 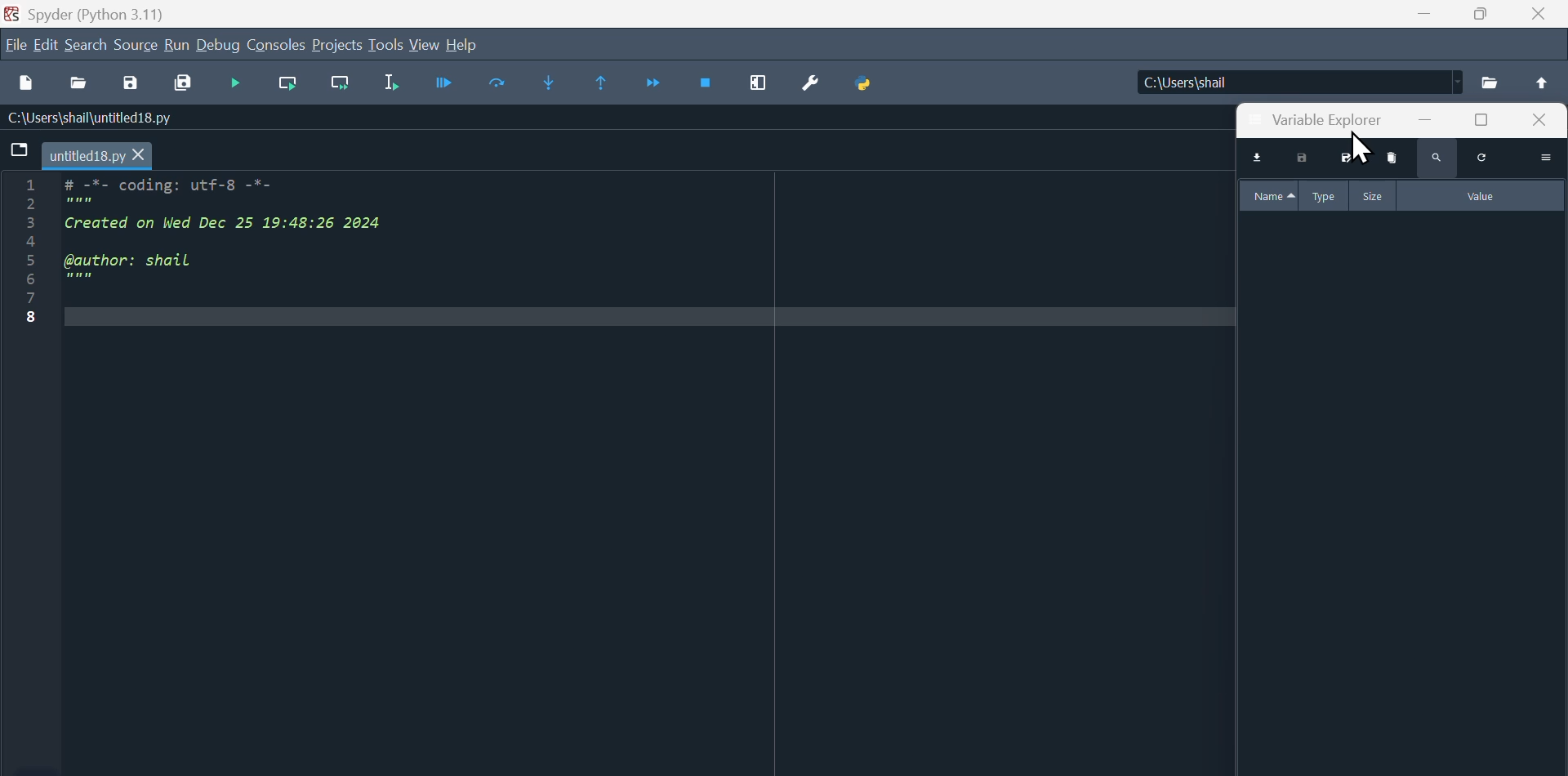 I want to click on Run Selection, so click(x=400, y=87).